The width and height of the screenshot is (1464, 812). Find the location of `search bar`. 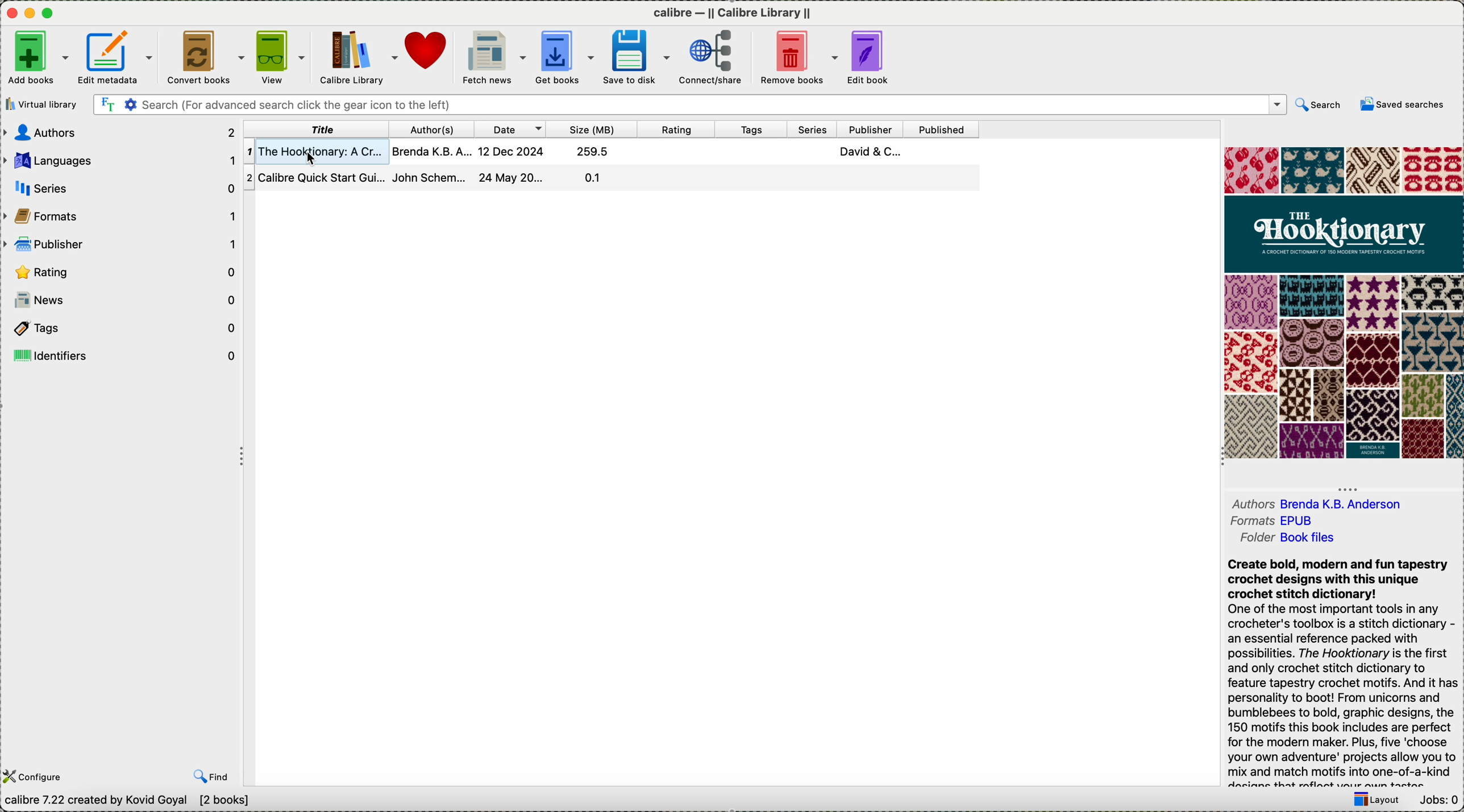

search bar is located at coordinates (691, 105).